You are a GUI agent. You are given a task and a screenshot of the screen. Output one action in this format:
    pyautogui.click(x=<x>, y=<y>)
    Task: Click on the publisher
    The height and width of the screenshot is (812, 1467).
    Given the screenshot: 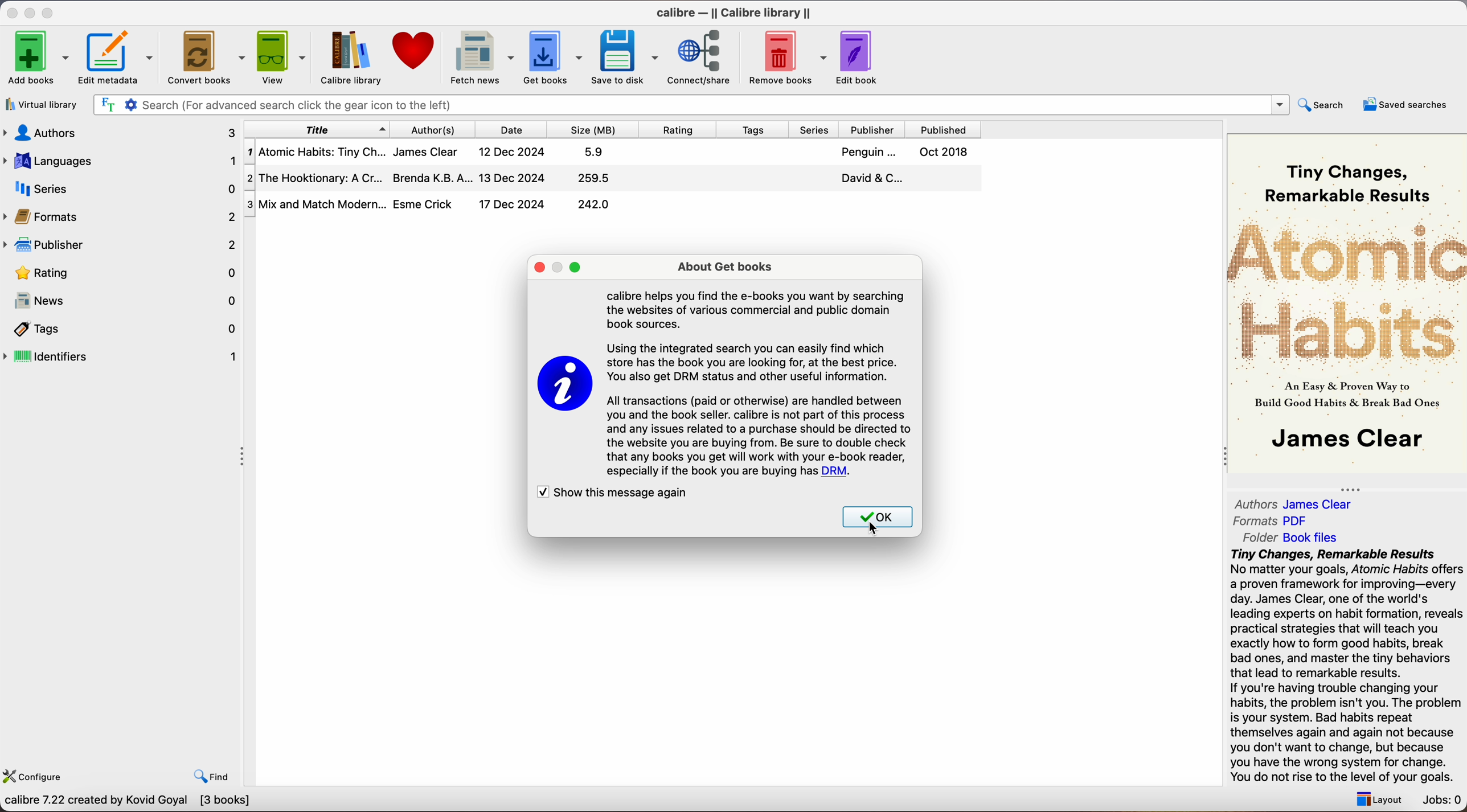 What is the action you would take?
    pyautogui.click(x=123, y=244)
    